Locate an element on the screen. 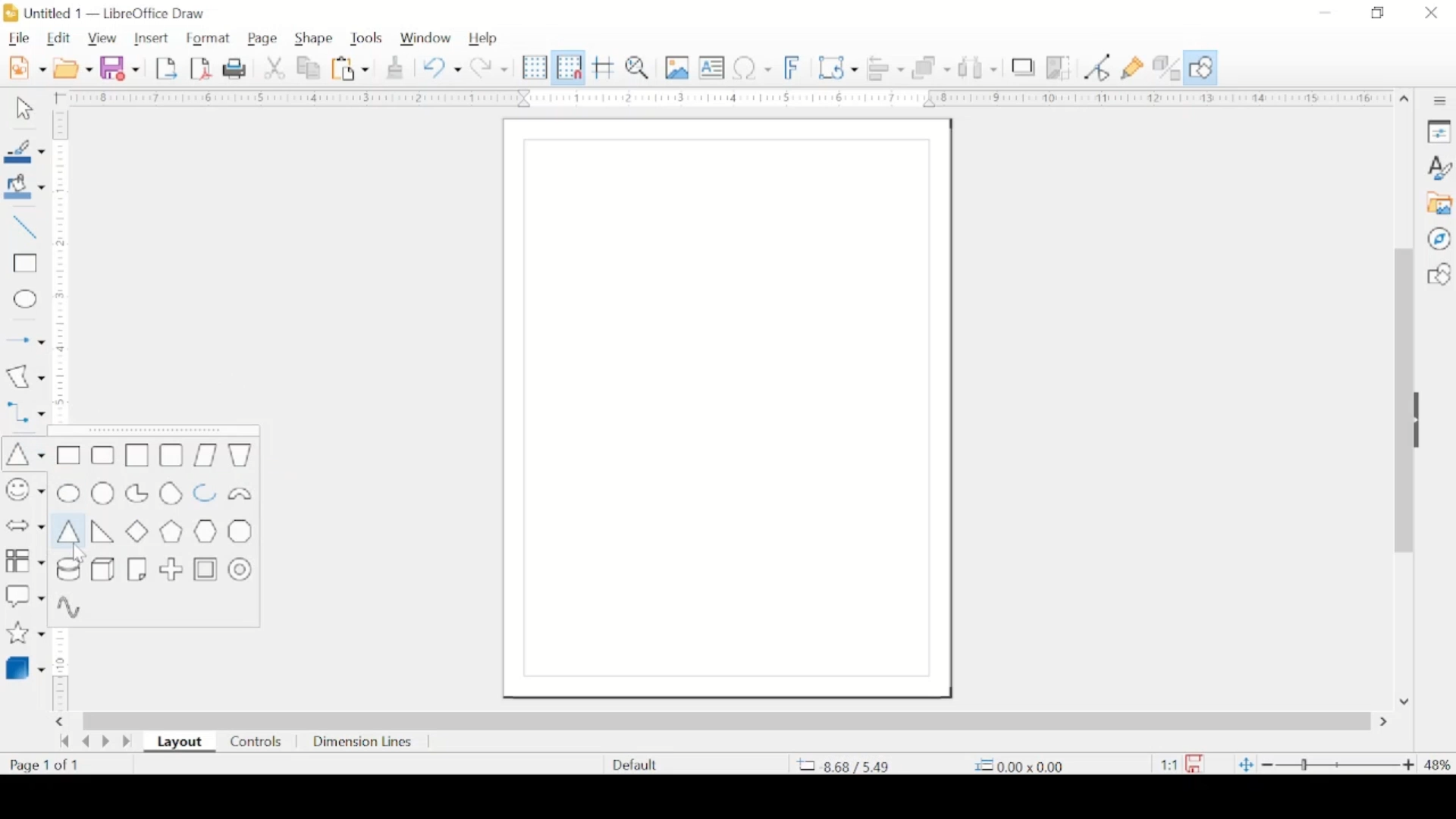 This screenshot has width=1456, height=819. redo is located at coordinates (491, 67).